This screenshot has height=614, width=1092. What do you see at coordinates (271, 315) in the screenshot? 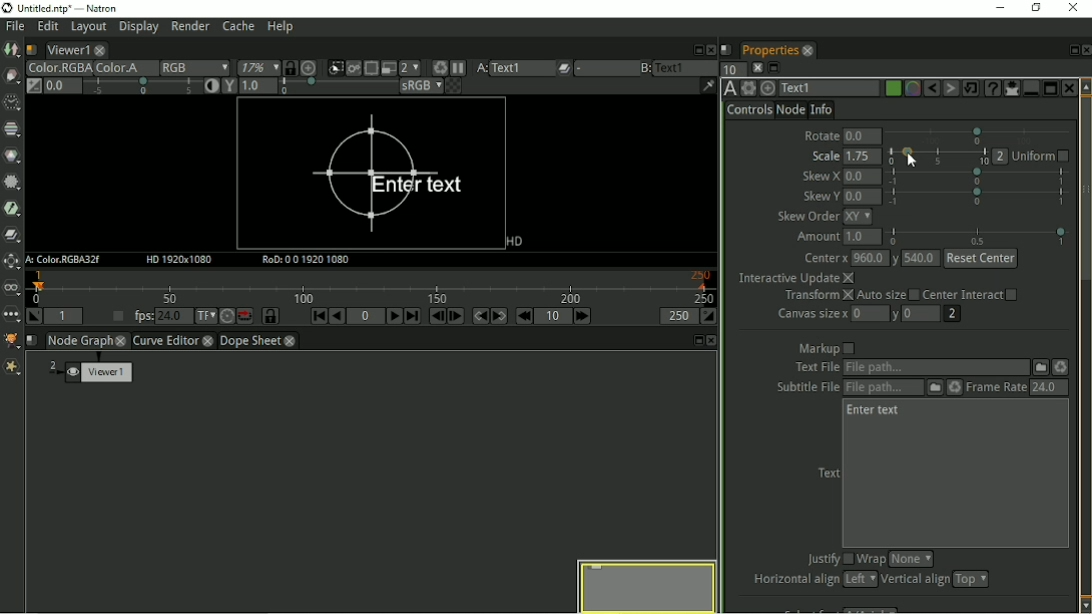
I see `Synchronize` at bounding box center [271, 315].